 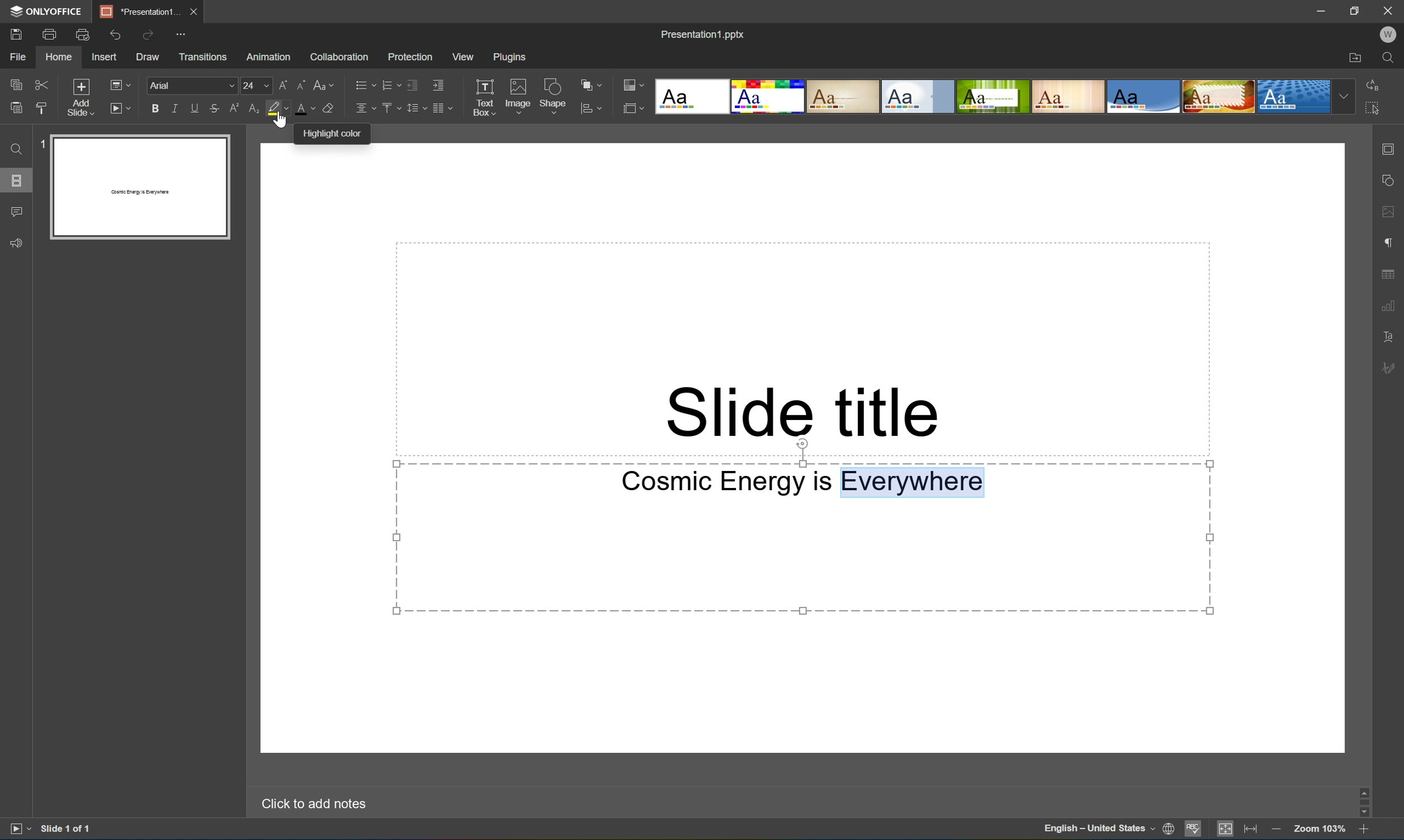 What do you see at coordinates (328, 107) in the screenshot?
I see `Clear style` at bounding box center [328, 107].